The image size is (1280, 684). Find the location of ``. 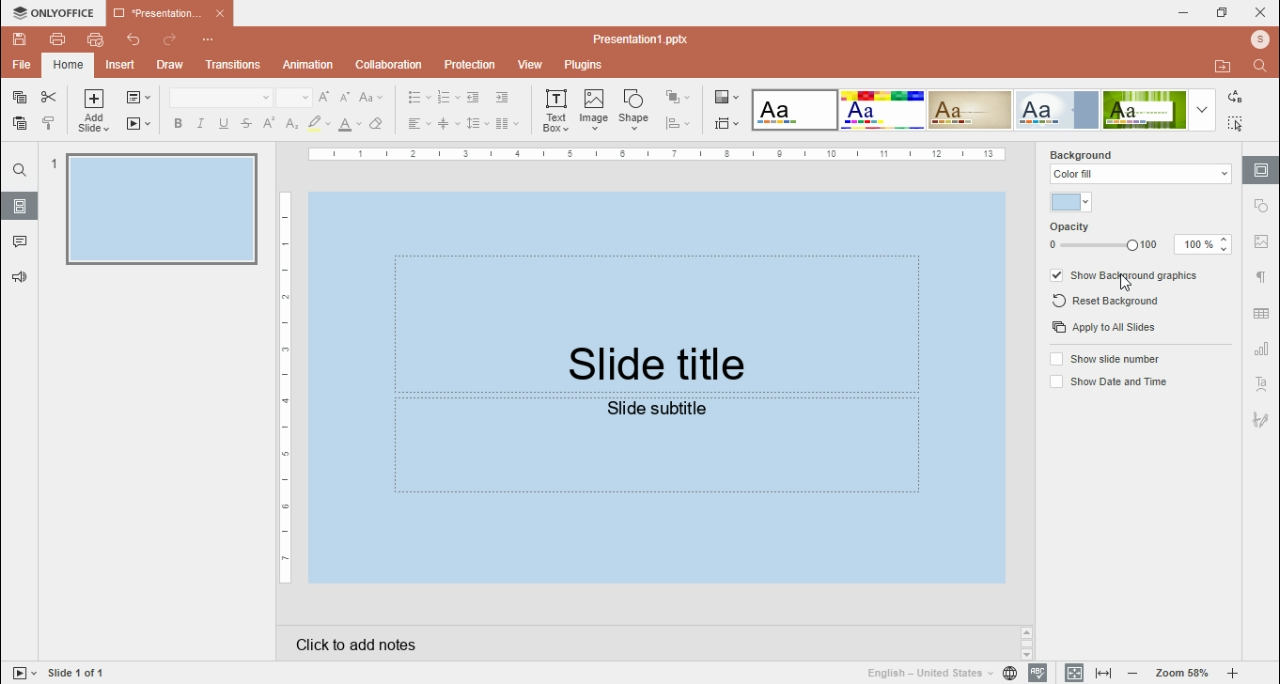

 is located at coordinates (1259, 422).